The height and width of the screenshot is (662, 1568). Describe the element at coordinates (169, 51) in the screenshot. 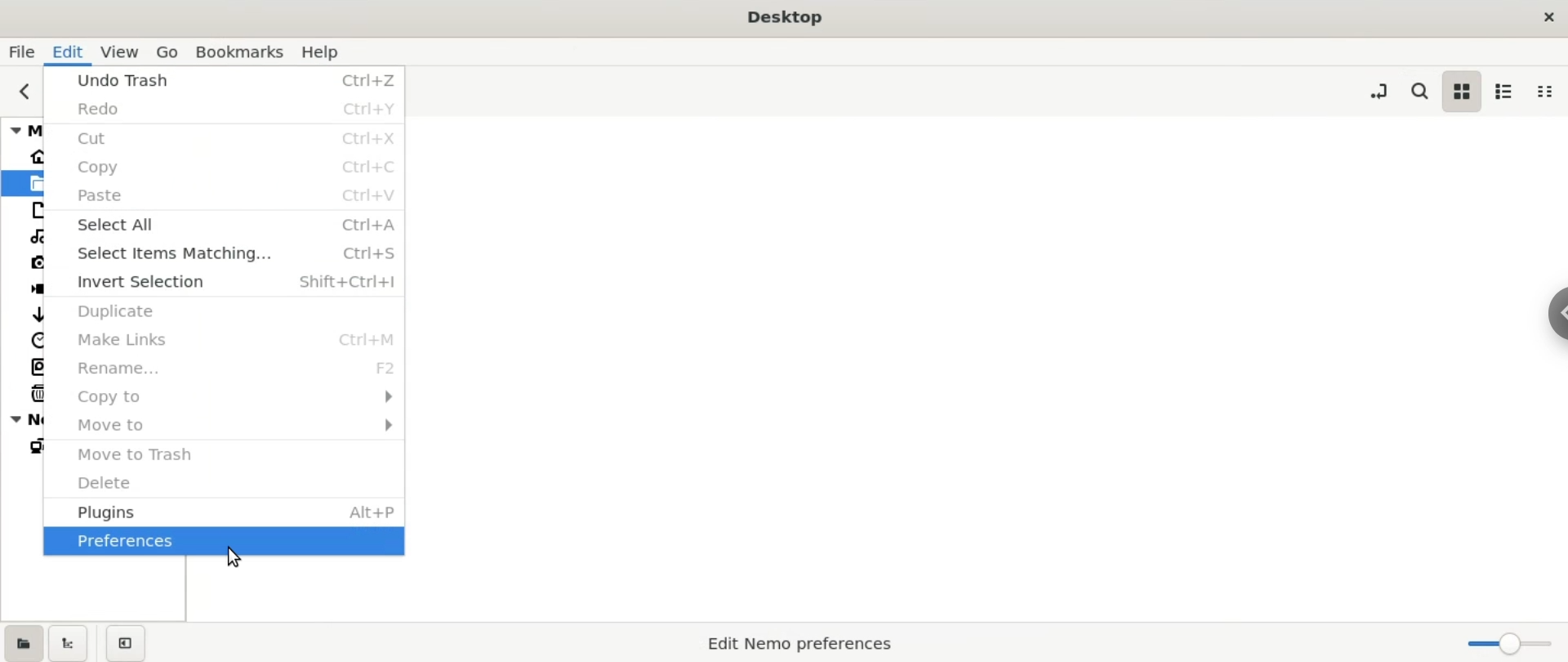

I see `go ` at that location.